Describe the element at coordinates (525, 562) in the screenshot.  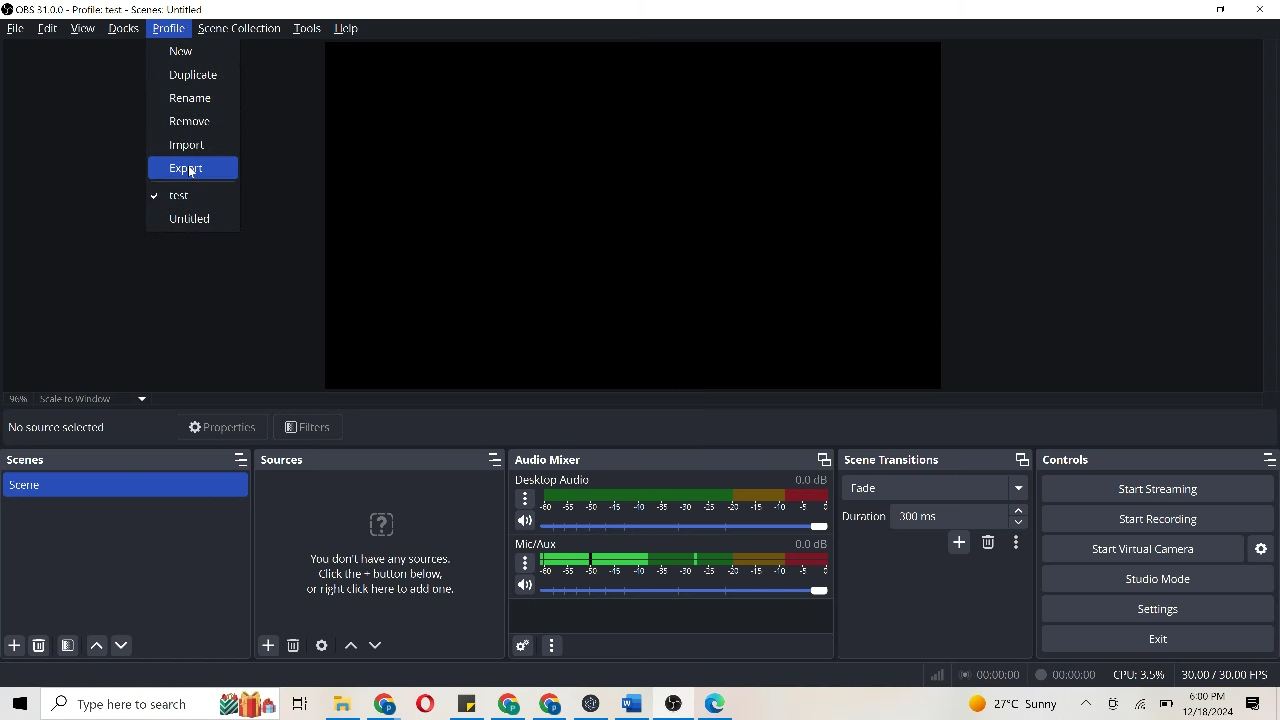
I see `options` at that location.